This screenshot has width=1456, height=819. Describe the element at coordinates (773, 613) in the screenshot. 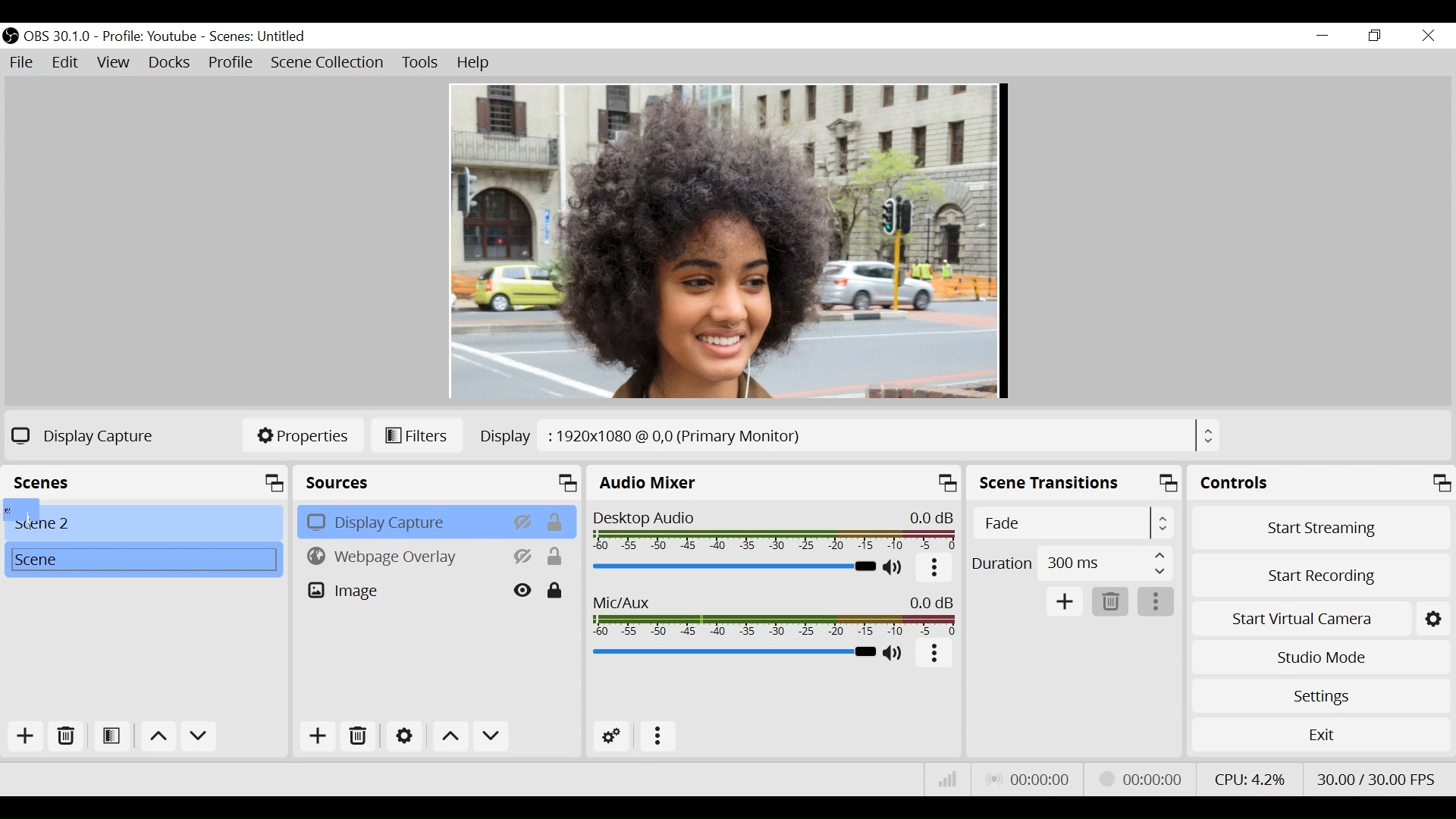

I see `Mic/Aux` at that location.